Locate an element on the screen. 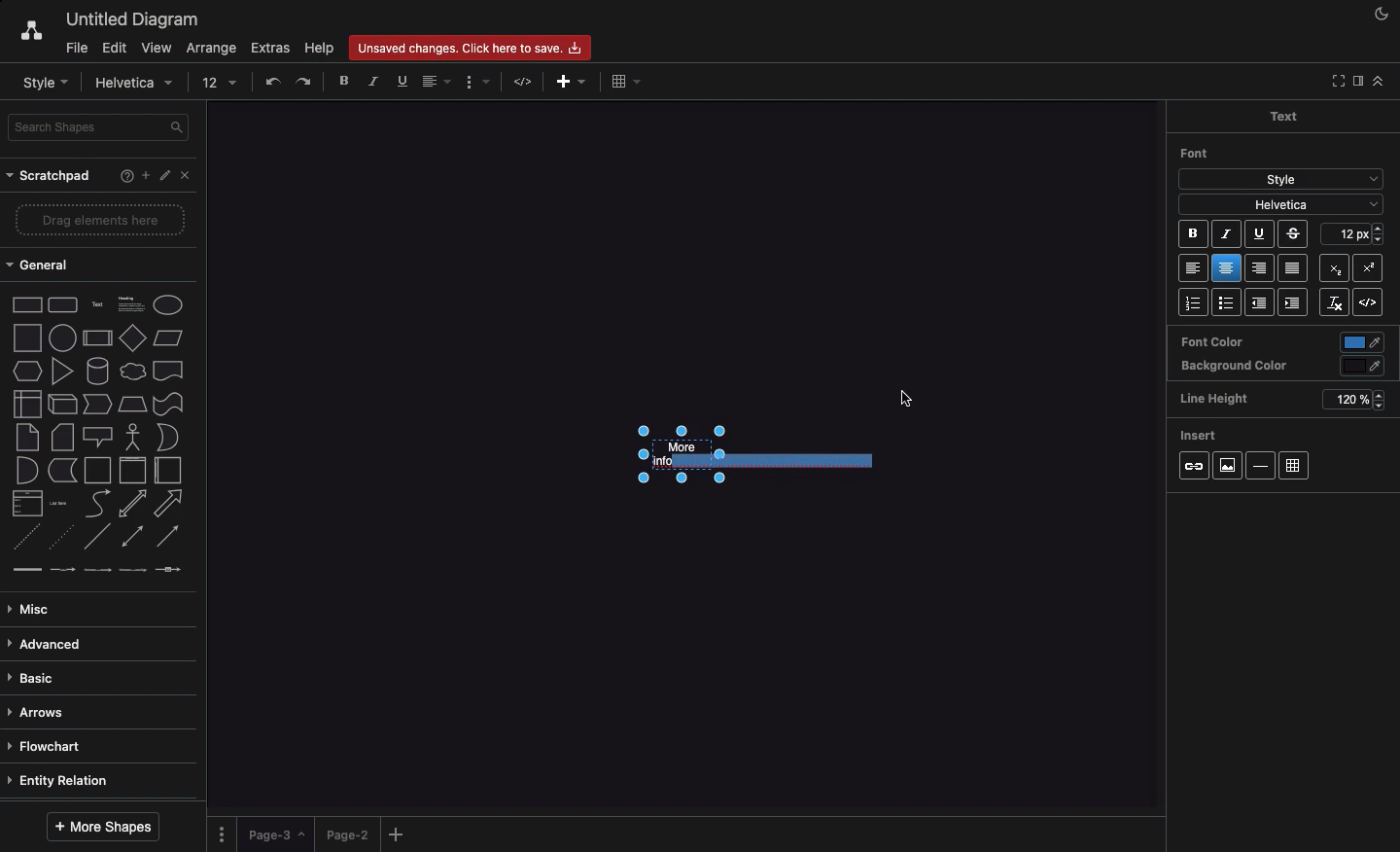  Edit is located at coordinates (166, 176).